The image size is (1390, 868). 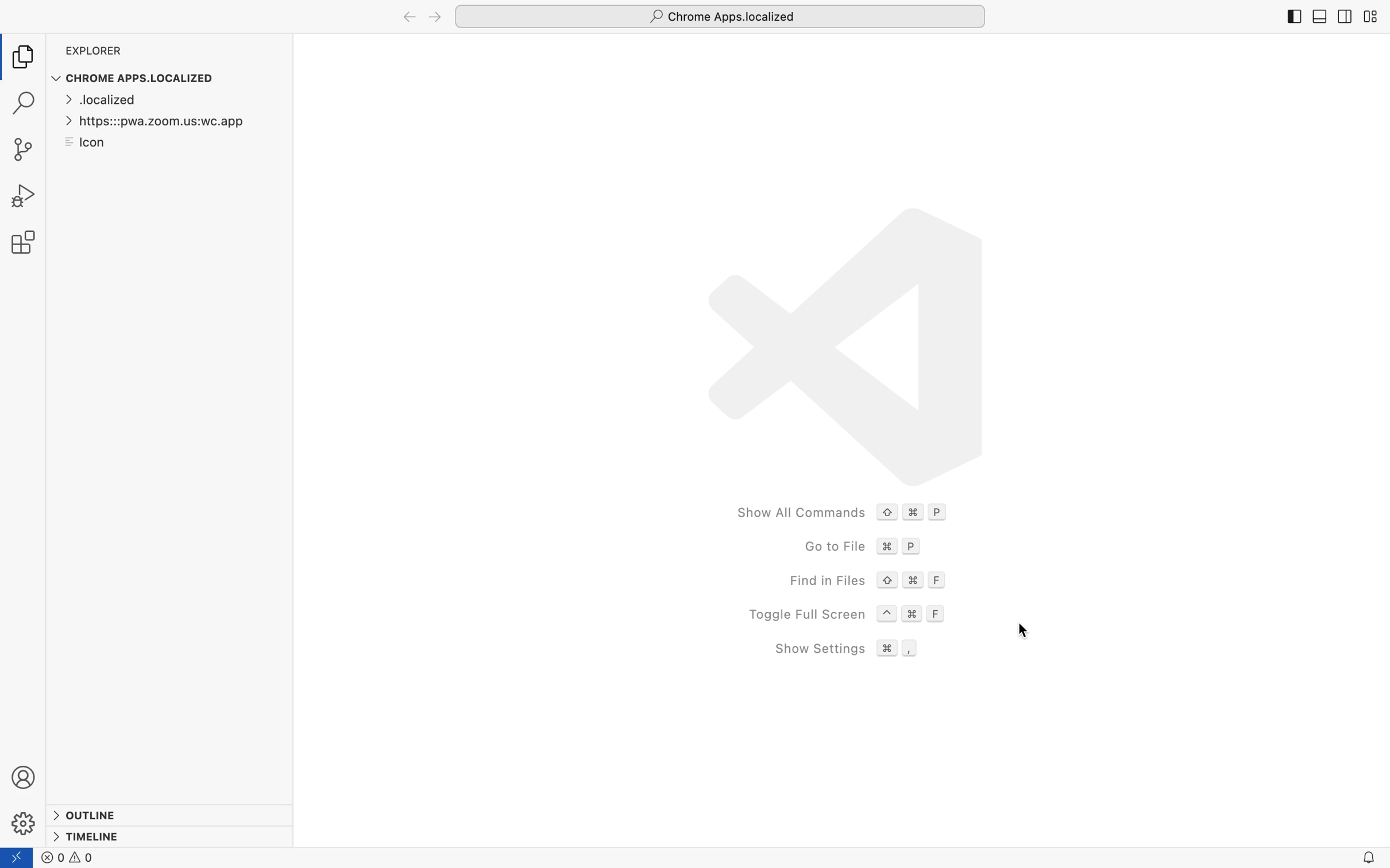 I want to click on toggle panel, so click(x=1319, y=17).